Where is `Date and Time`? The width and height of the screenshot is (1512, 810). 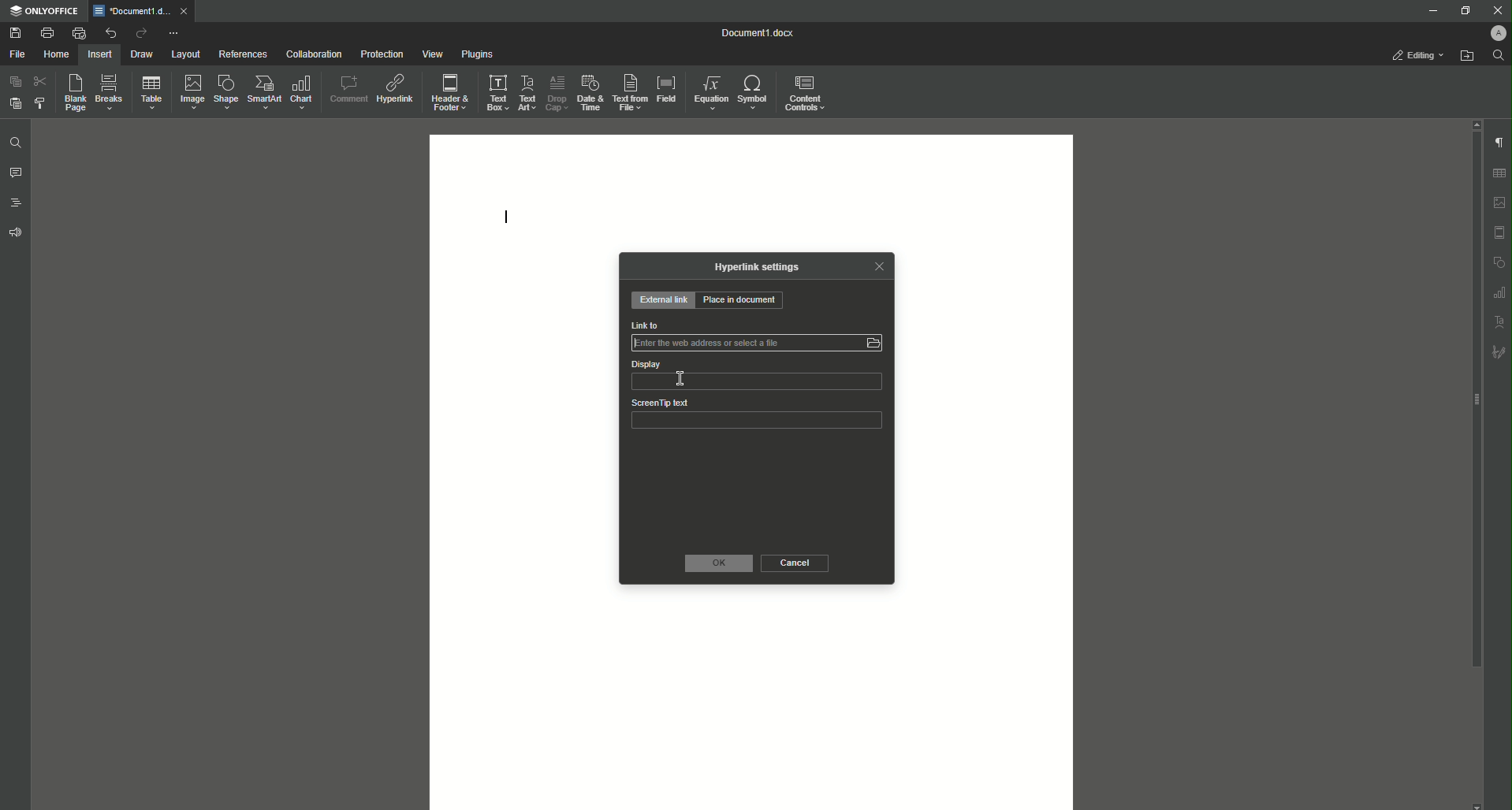
Date and Time is located at coordinates (590, 93).